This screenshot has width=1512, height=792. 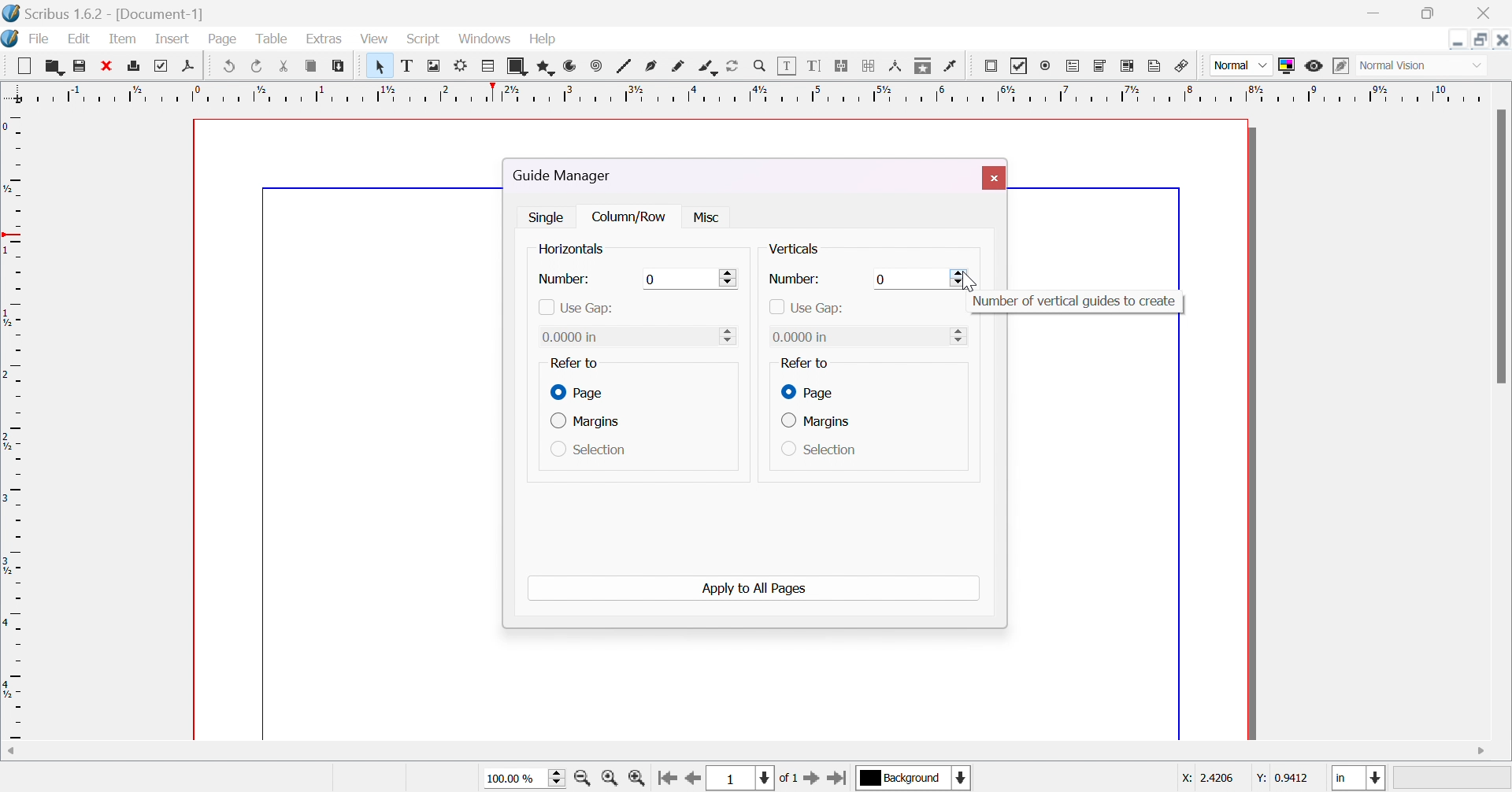 I want to click on go to previous page, so click(x=693, y=779).